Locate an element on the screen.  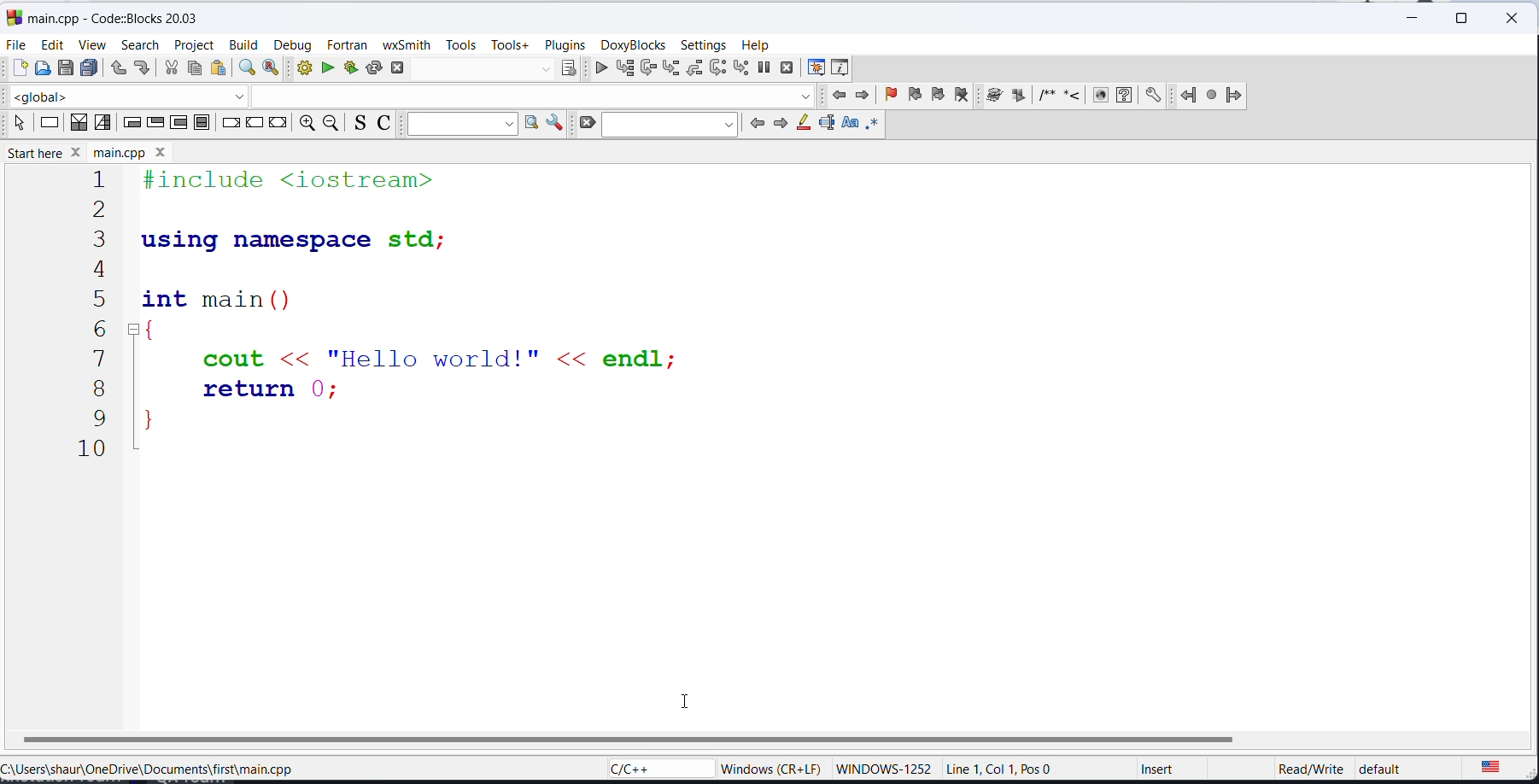
selection is located at coordinates (103, 125).